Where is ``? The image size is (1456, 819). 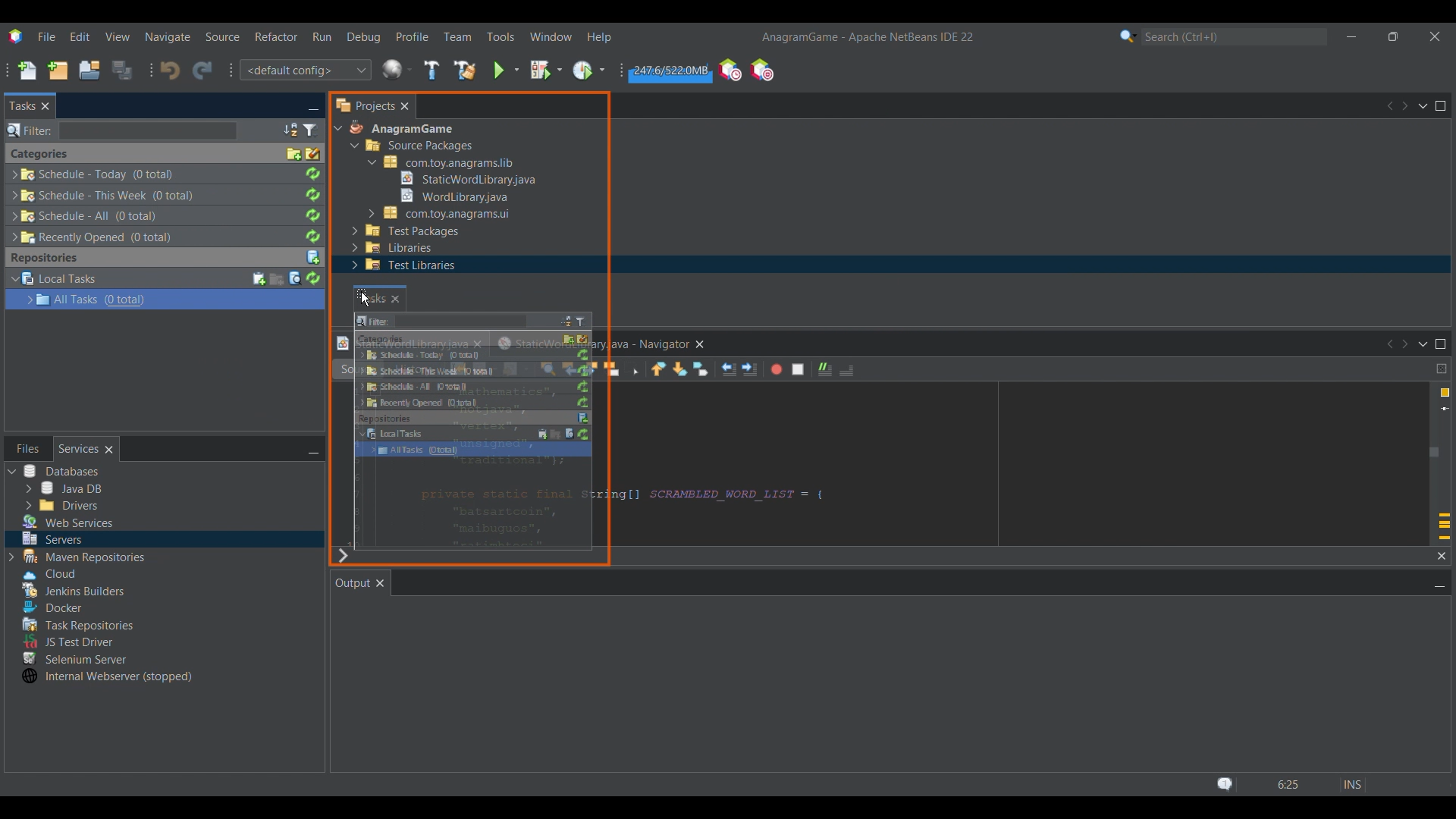  is located at coordinates (470, 352).